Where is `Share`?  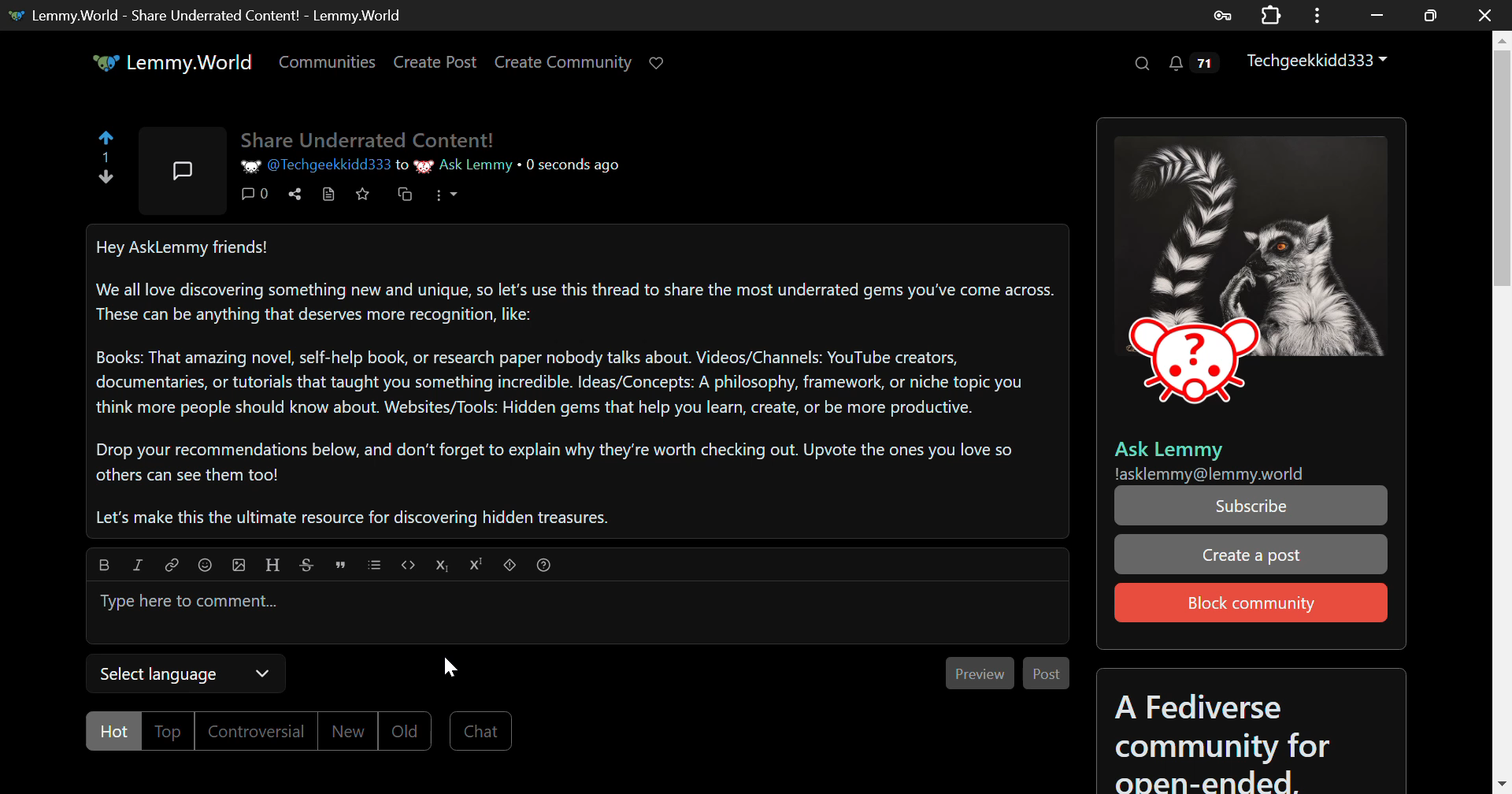
Share is located at coordinates (297, 196).